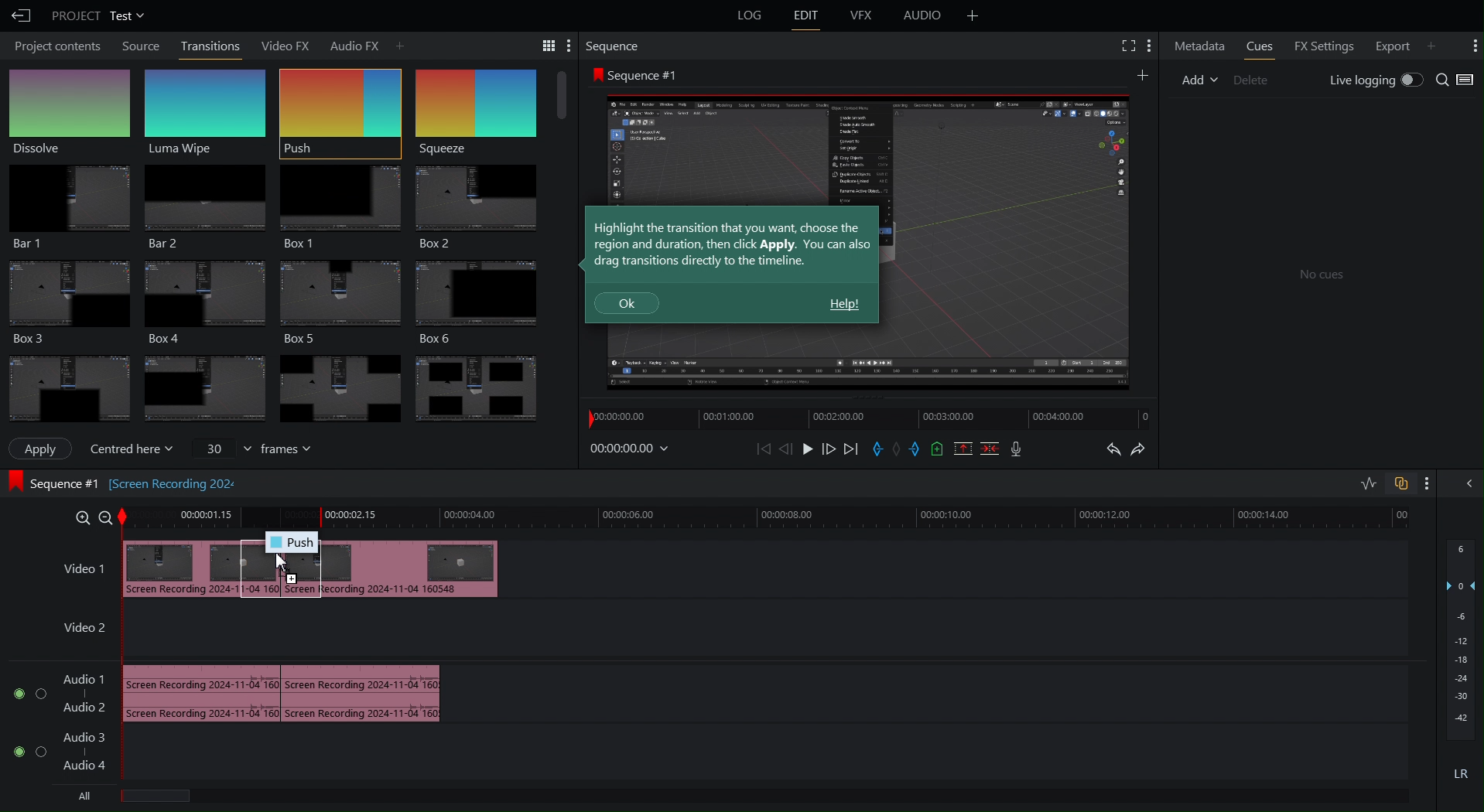 This screenshot has width=1484, height=812. I want to click on value, so click(221, 446).